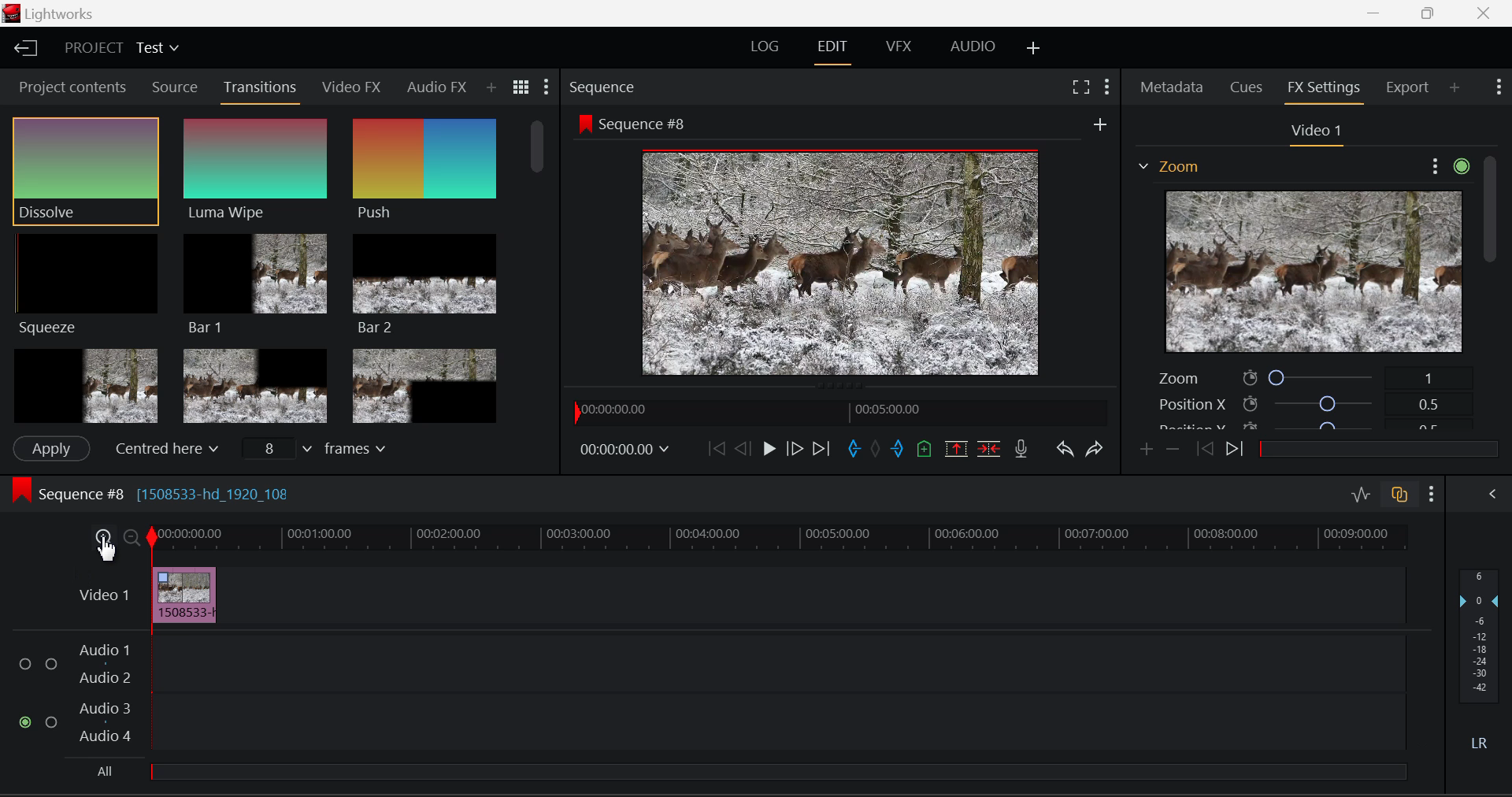 Image resolution: width=1512 pixels, height=797 pixels. I want to click on Box 1, so click(83, 387).